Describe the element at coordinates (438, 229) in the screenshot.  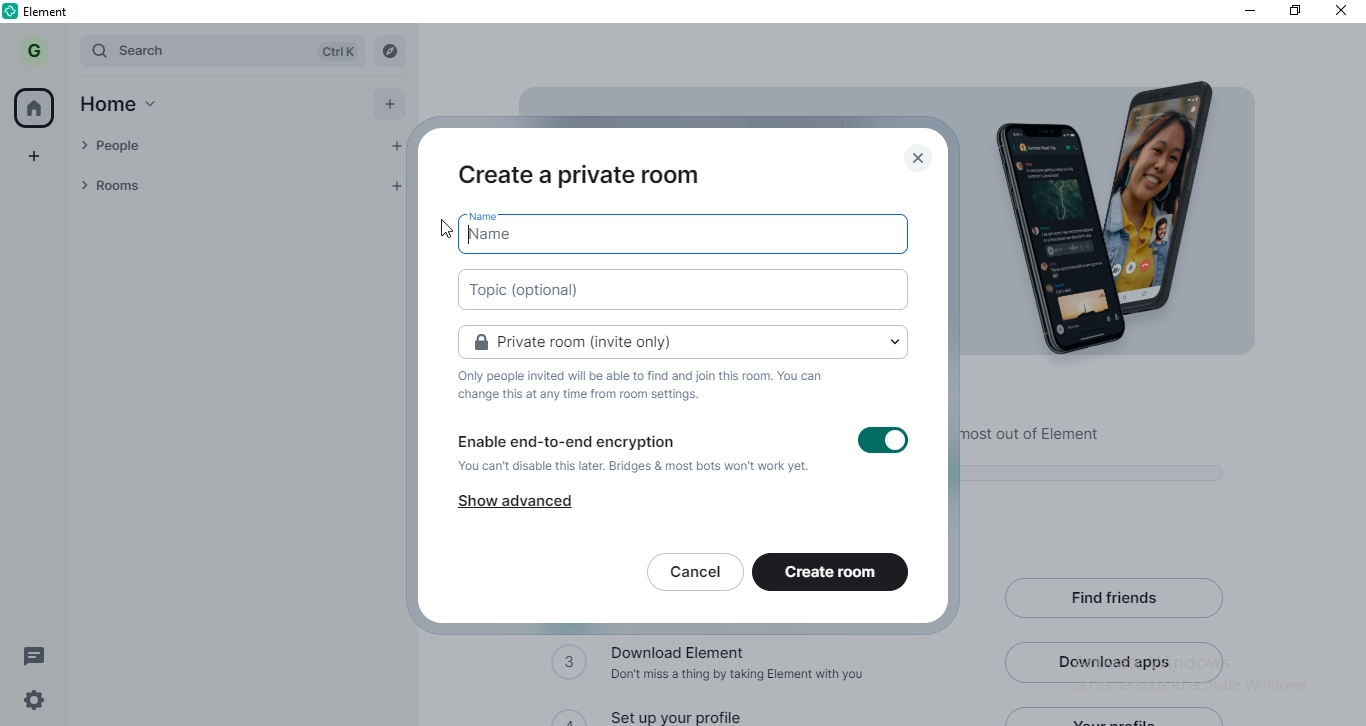
I see `cursor` at that location.